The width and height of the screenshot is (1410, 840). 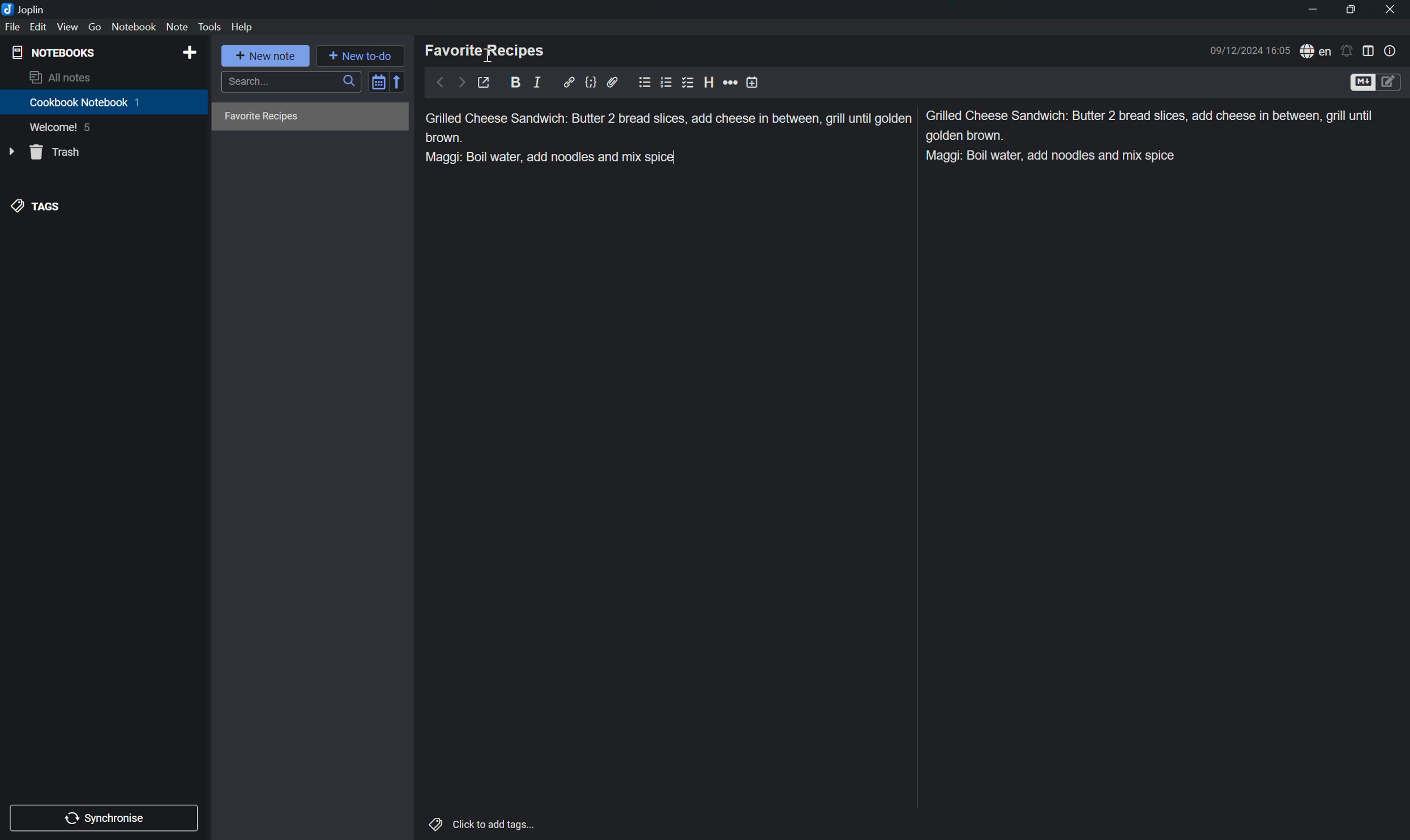 What do you see at coordinates (593, 82) in the screenshot?
I see `Code block` at bounding box center [593, 82].